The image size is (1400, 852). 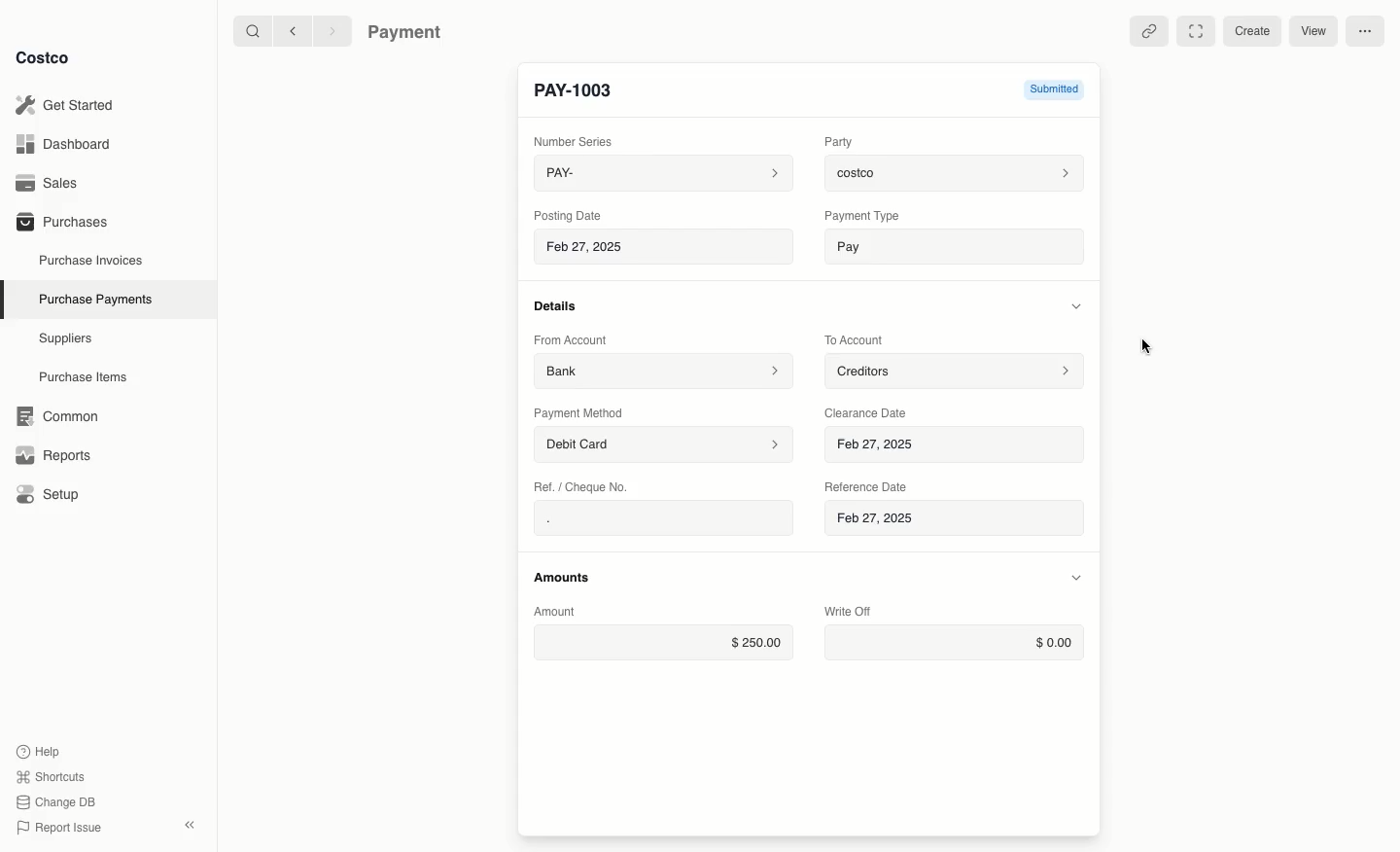 I want to click on Full width toggle, so click(x=1197, y=30).